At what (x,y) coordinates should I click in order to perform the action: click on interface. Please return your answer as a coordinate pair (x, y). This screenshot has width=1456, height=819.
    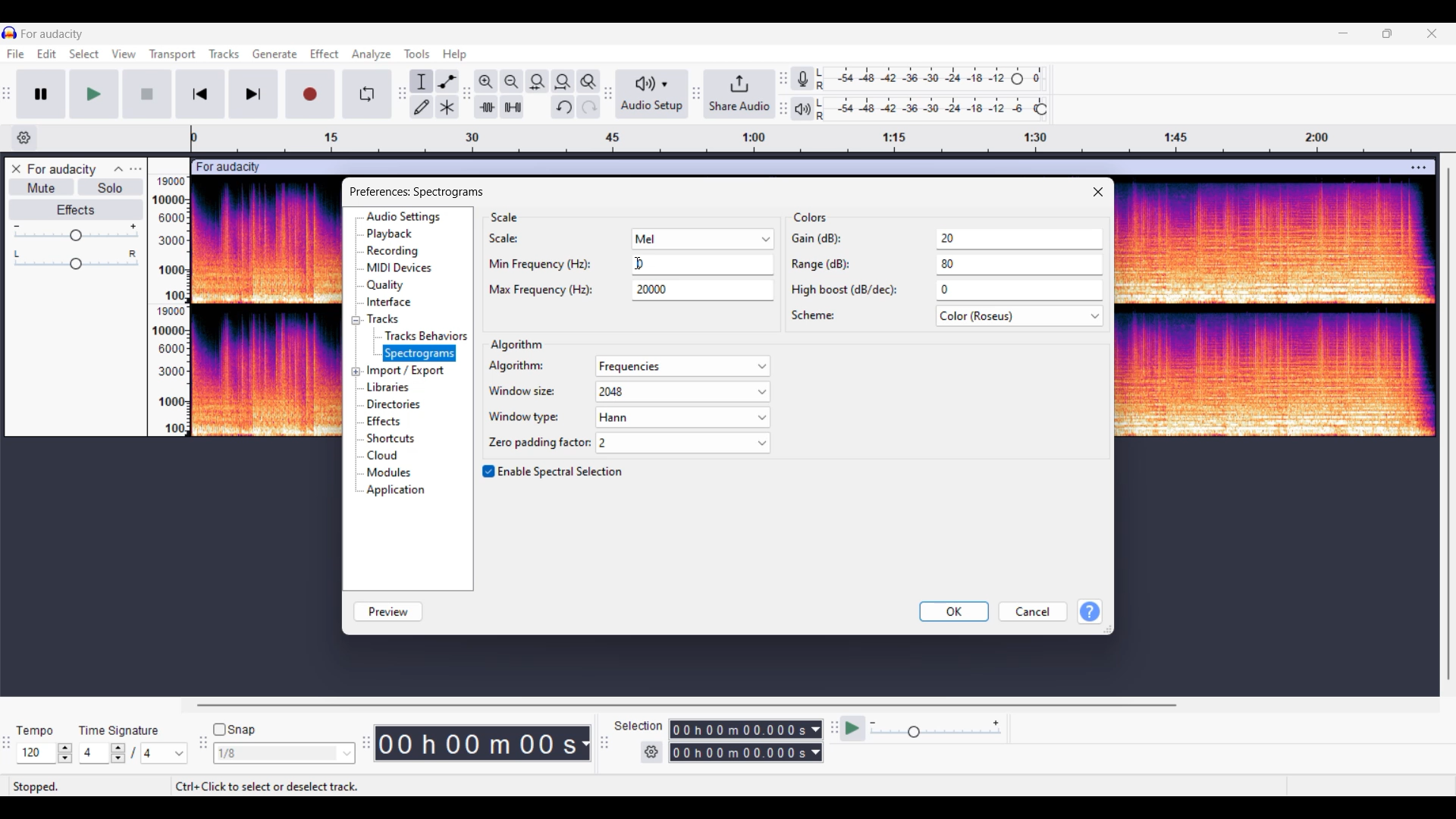
    Looking at the image, I should click on (394, 303).